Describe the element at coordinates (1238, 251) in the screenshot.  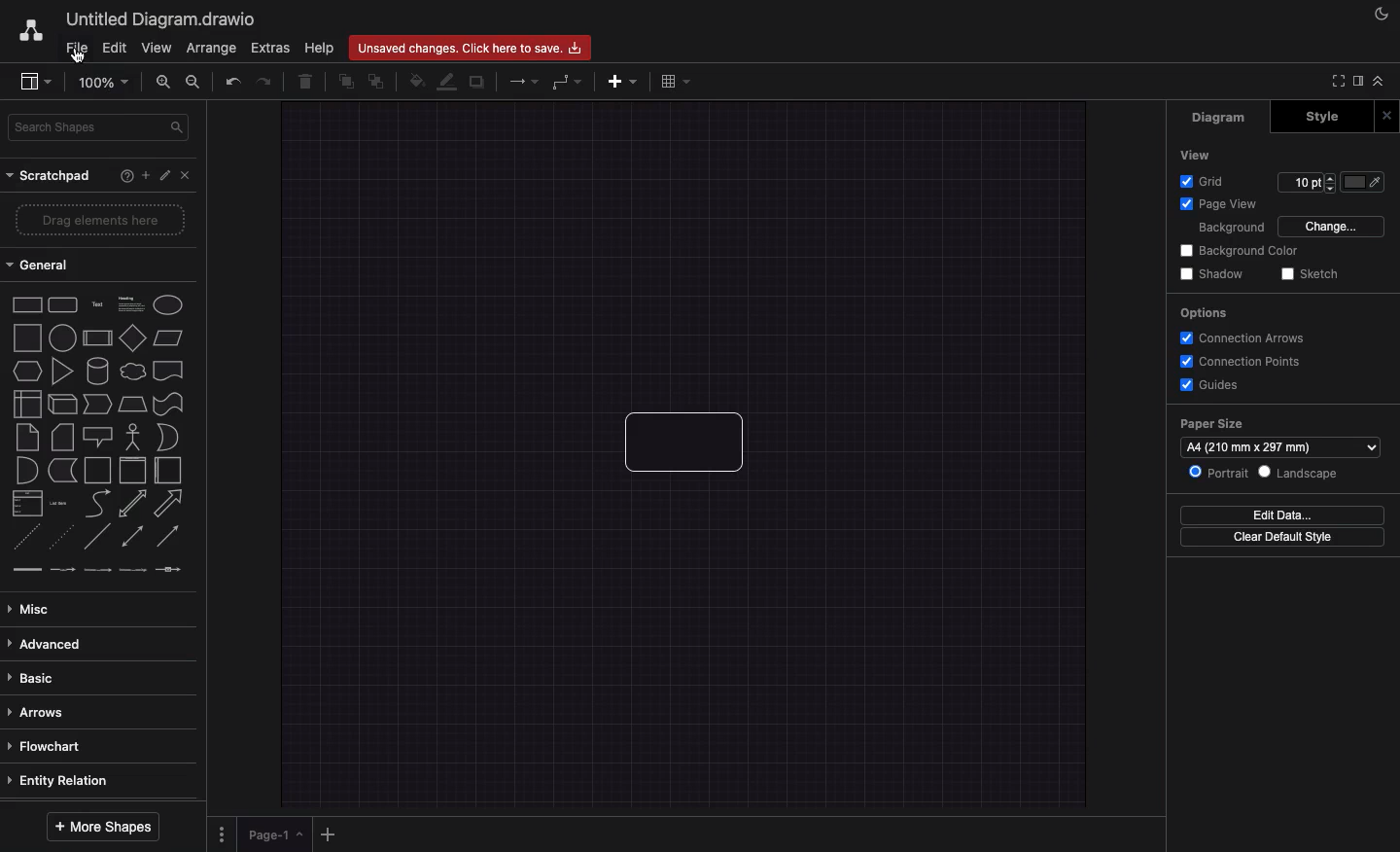
I see `Background color` at that location.